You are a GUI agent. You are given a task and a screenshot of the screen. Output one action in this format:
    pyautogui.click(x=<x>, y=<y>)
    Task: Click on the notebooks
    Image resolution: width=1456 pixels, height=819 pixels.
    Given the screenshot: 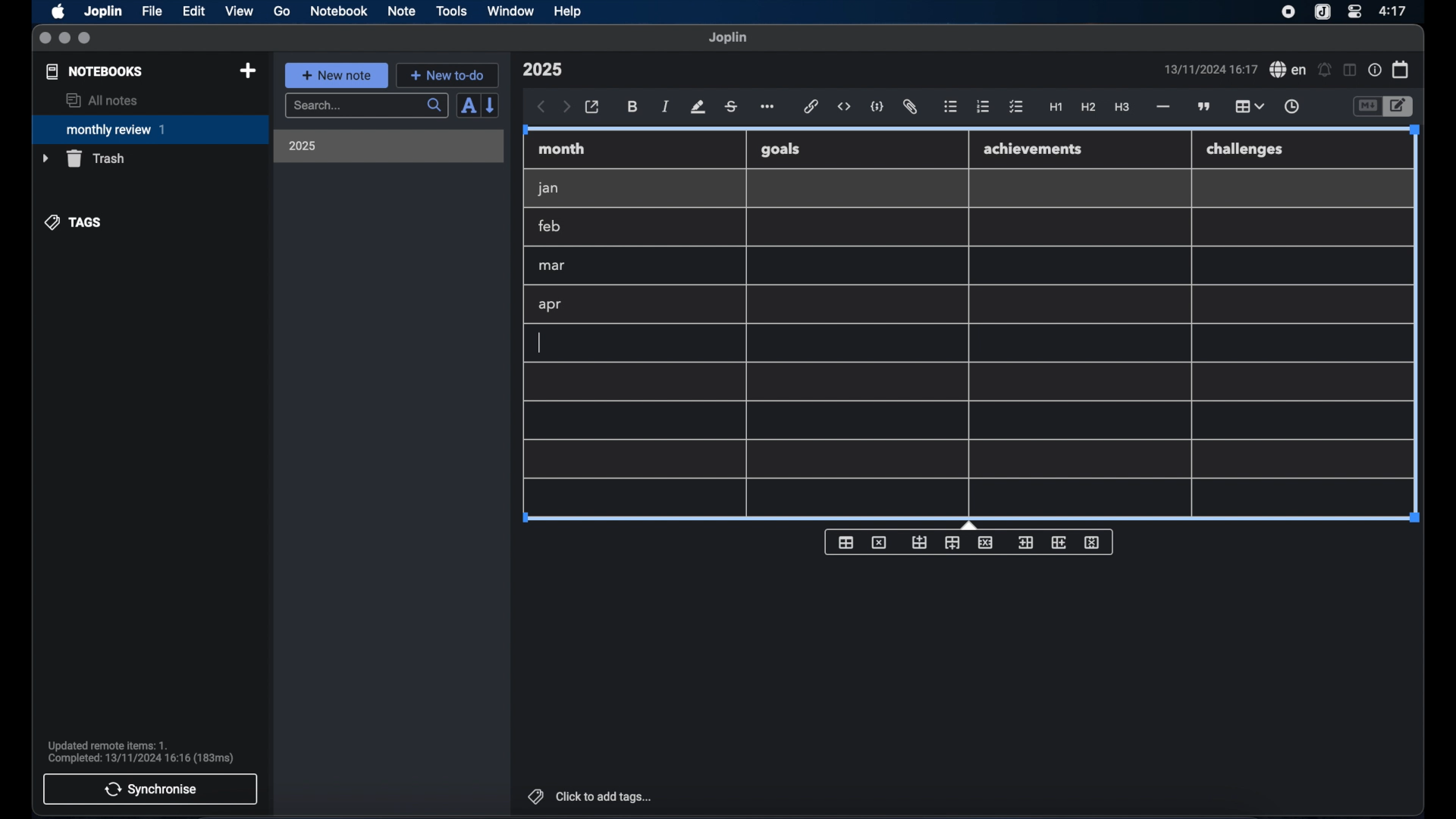 What is the action you would take?
    pyautogui.click(x=95, y=71)
    